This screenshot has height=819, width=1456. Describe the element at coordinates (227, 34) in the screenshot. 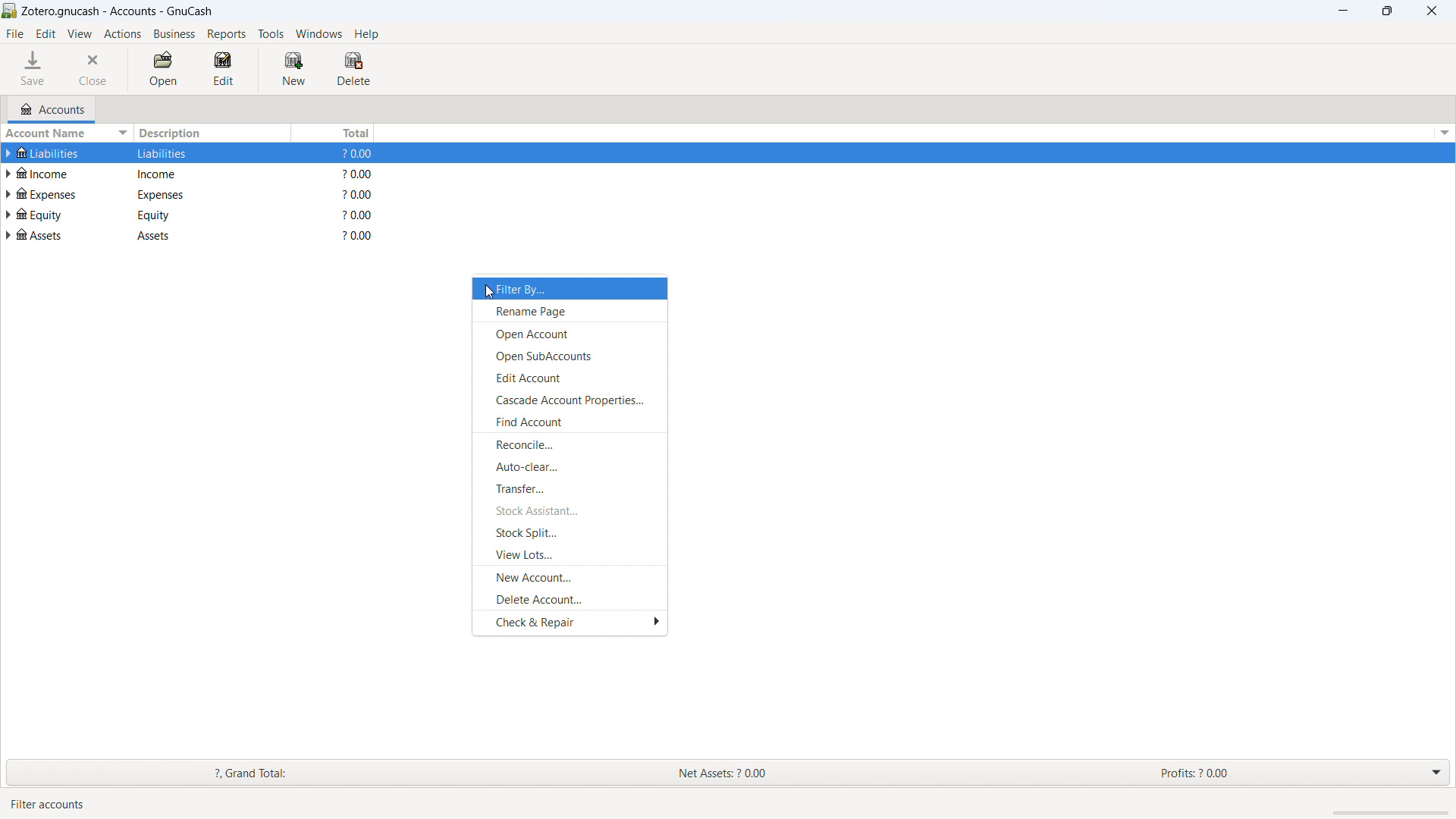

I see `reports` at that location.